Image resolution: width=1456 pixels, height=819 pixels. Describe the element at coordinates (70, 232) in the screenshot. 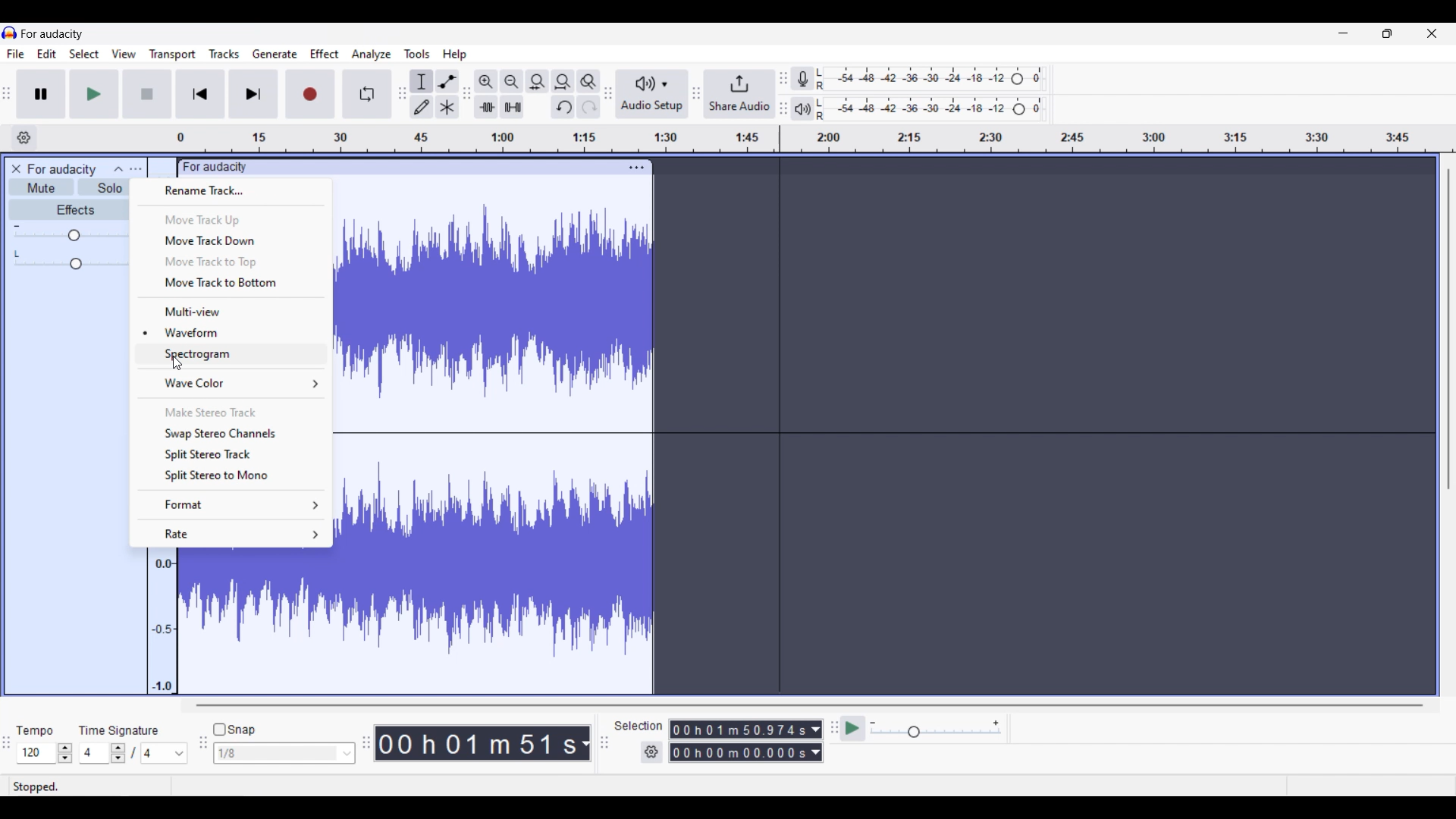

I see `Volume slider` at that location.